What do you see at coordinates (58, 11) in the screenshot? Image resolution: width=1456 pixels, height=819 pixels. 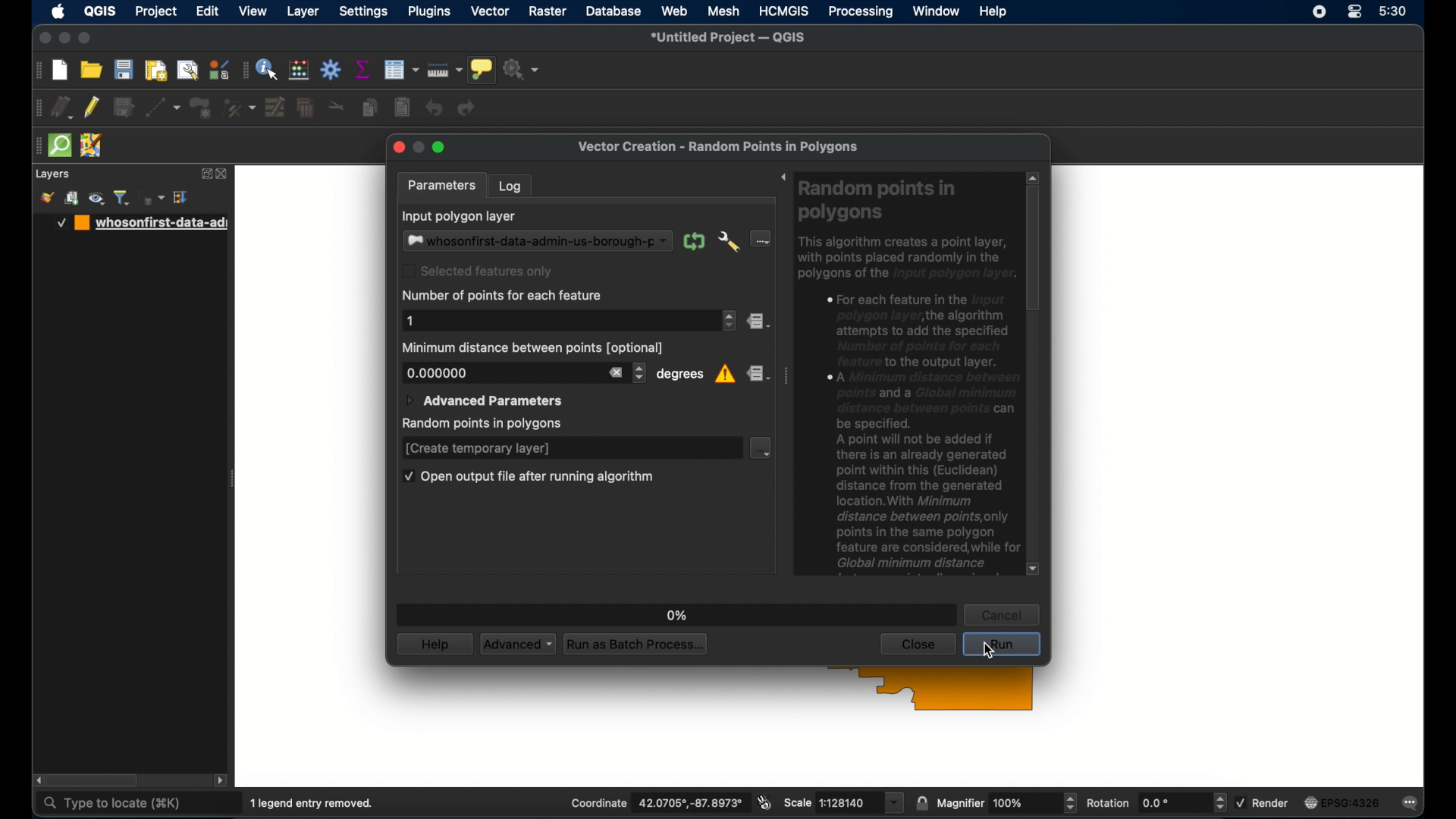 I see `apple icon` at bounding box center [58, 11].